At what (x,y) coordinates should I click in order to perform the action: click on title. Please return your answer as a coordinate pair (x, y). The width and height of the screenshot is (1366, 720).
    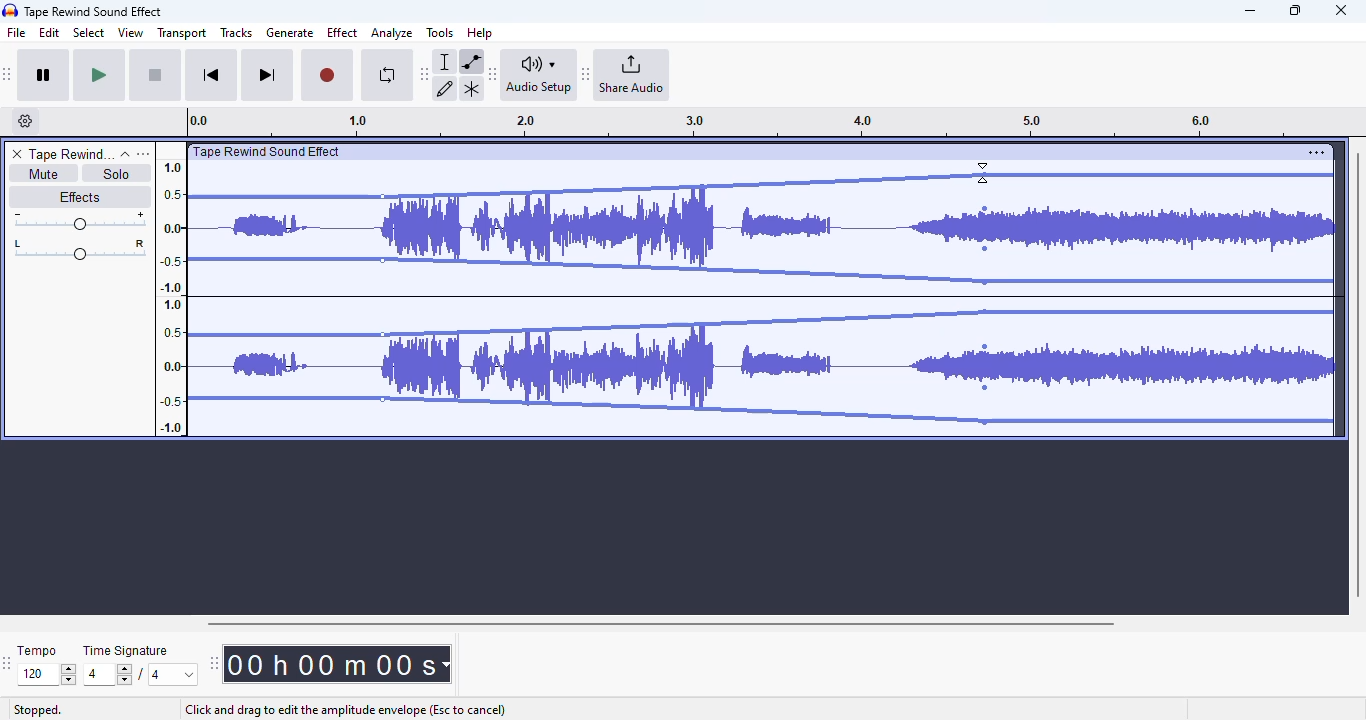
    Looking at the image, I should click on (94, 11).